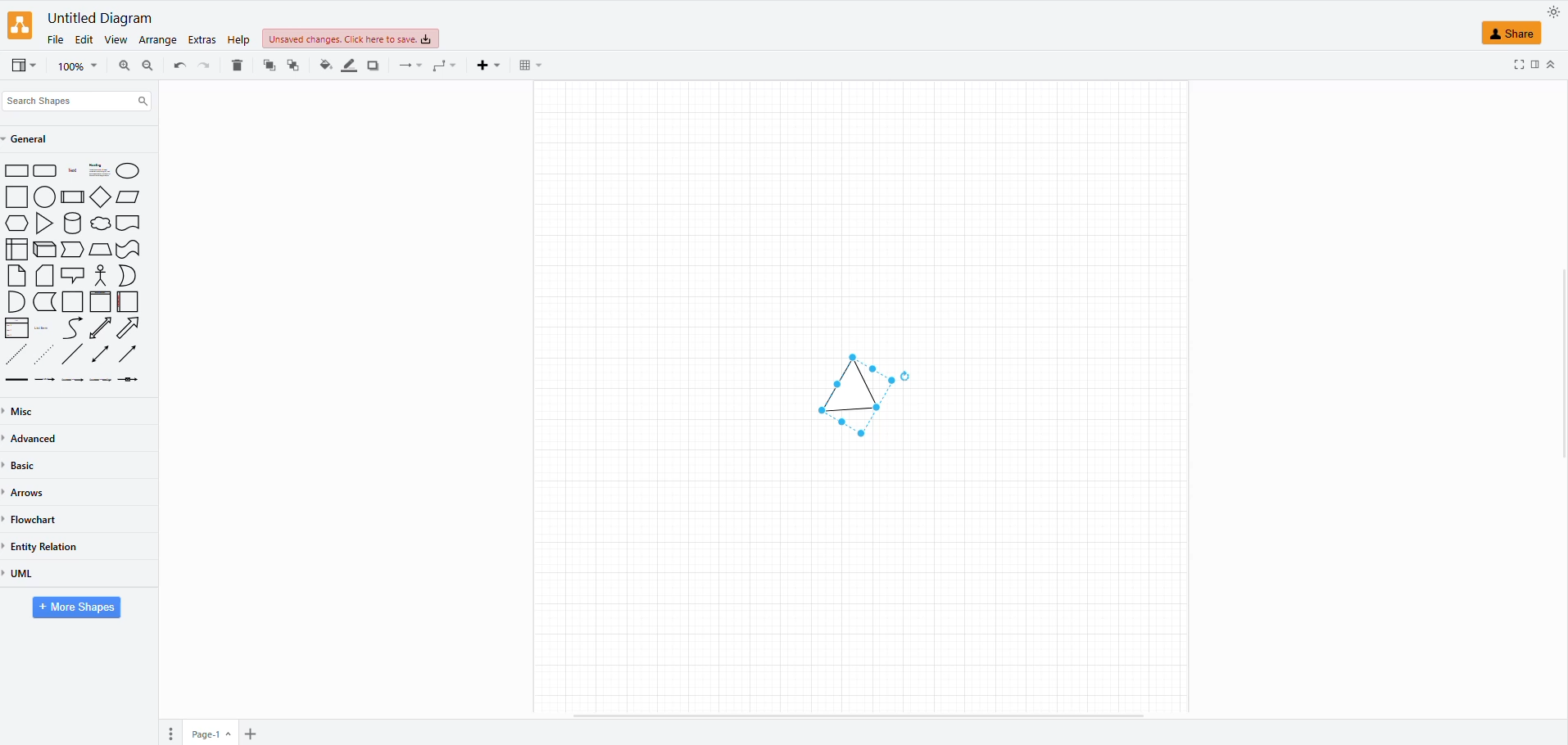  What do you see at coordinates (21, 65) in the screenshot?
I see `view` at bounding box center [21, 65].